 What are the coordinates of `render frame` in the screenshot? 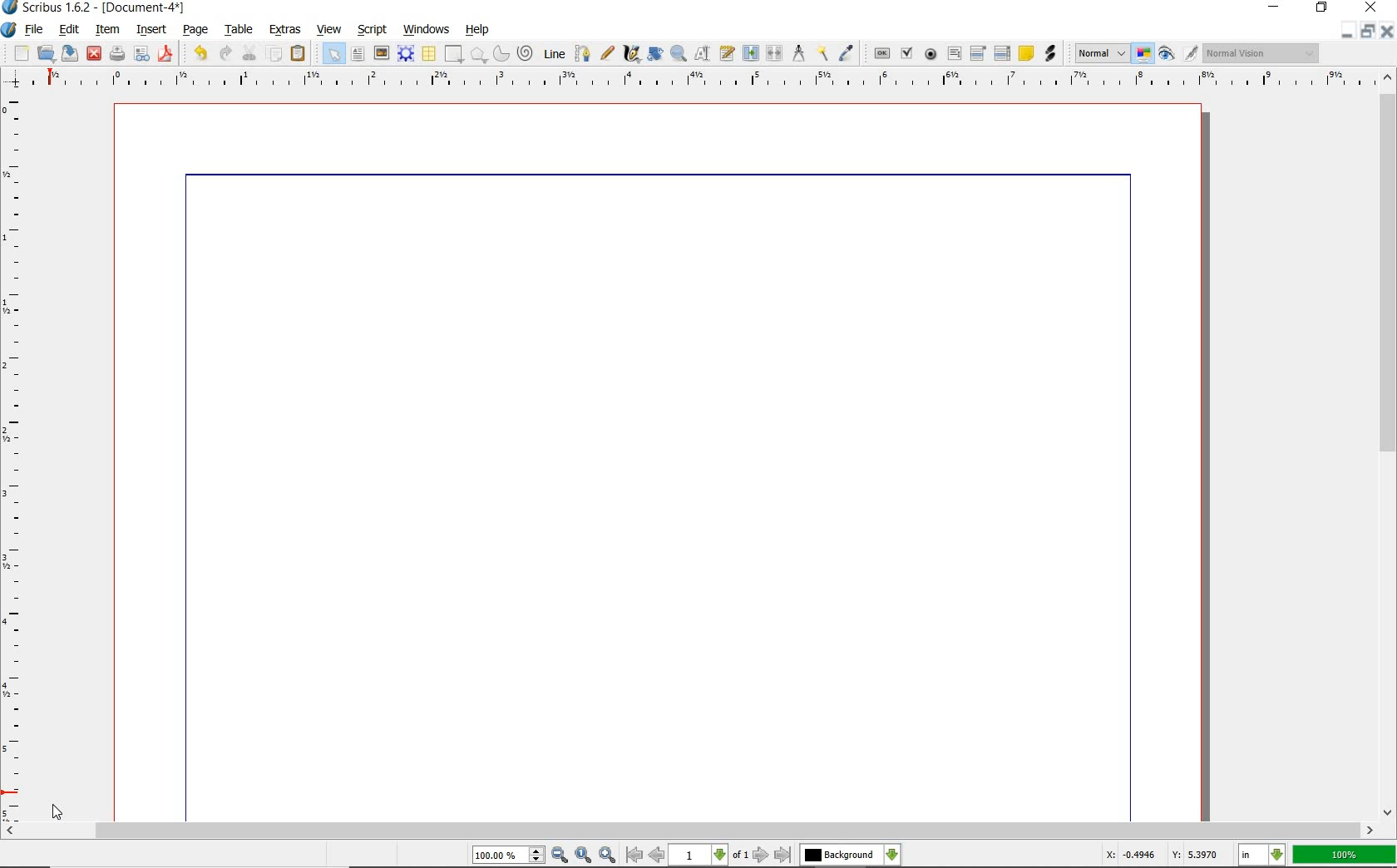 It's located at (406, 53).